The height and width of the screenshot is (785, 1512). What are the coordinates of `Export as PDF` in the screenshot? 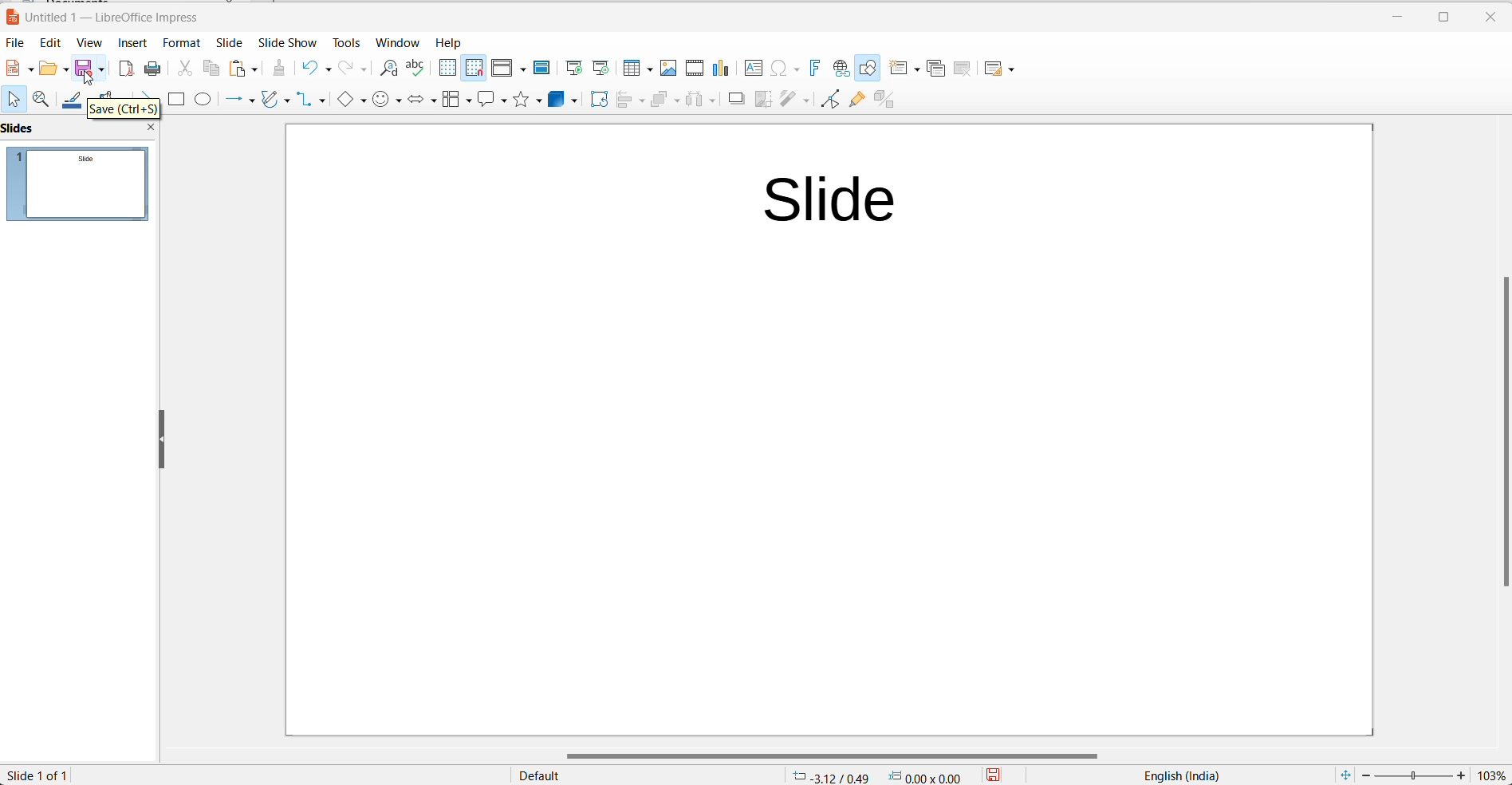 It's located at (123, 69).